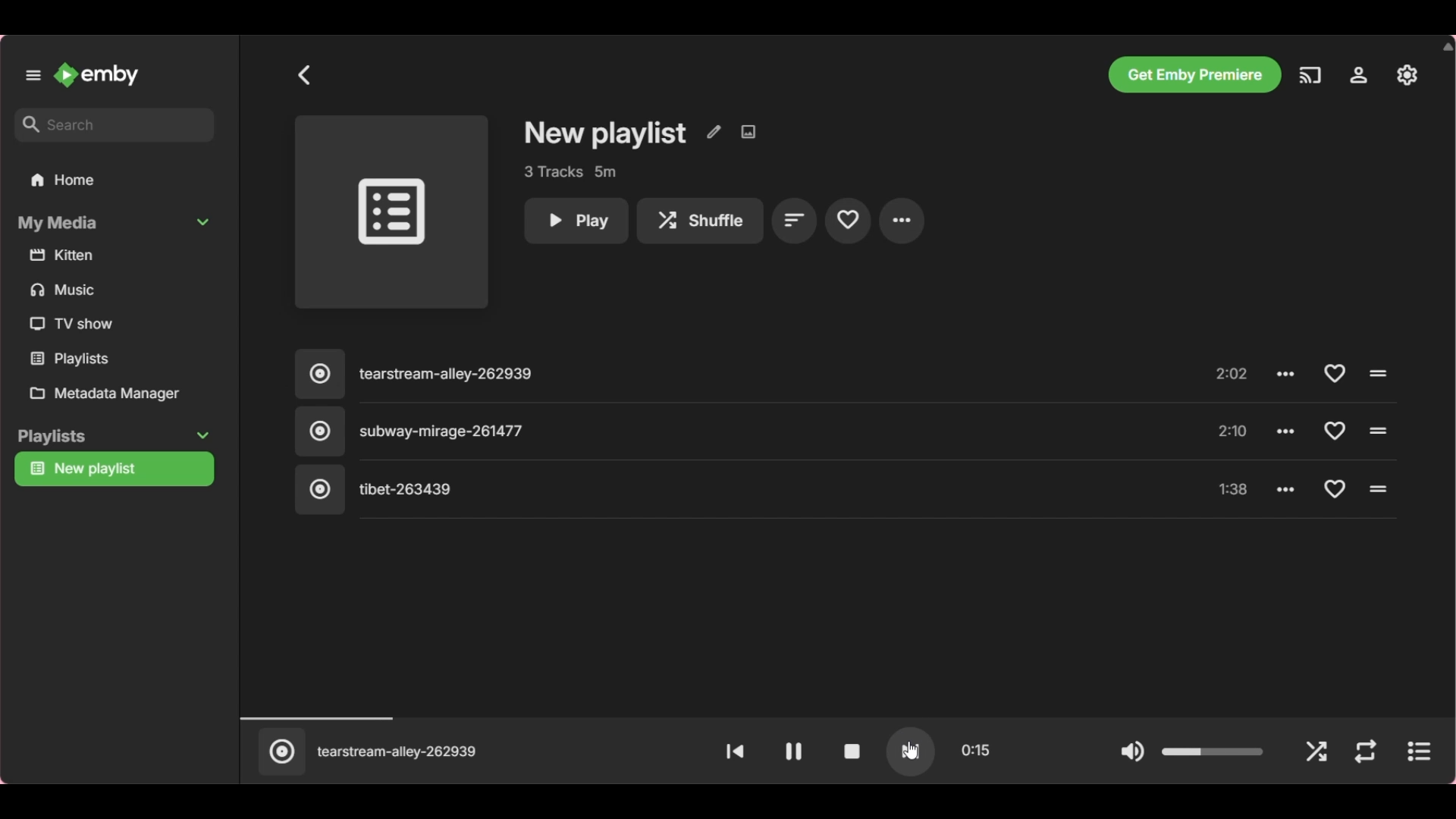 The height and width of the screenshot is (819, 1456). What do you see at coordinates (1447, 410) in the screenshot?
I see `scrollbar` at bounding box center [1447, 410].